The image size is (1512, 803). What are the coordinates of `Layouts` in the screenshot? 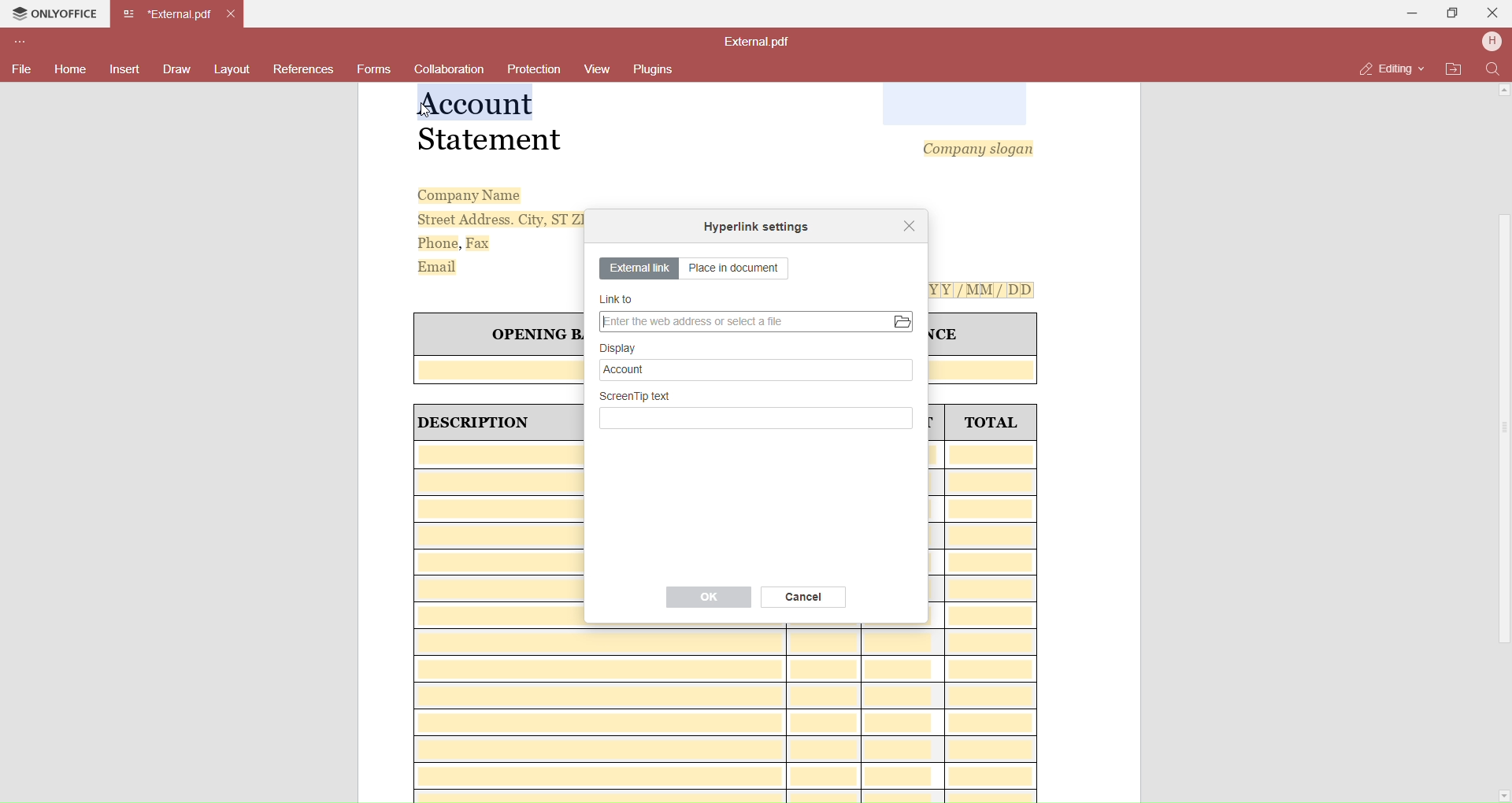 It's located at (233, 70).